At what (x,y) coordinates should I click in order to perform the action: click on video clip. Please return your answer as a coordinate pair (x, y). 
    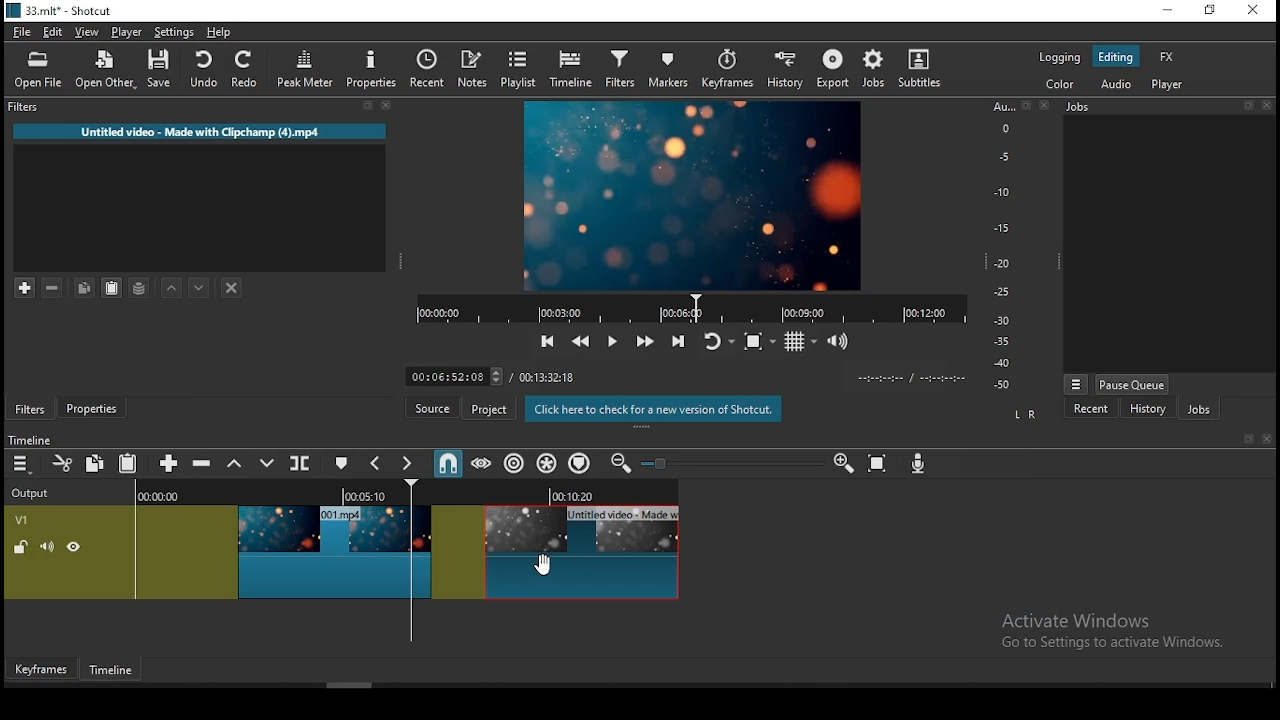
    Looking at the image, I should click on (558, 555).